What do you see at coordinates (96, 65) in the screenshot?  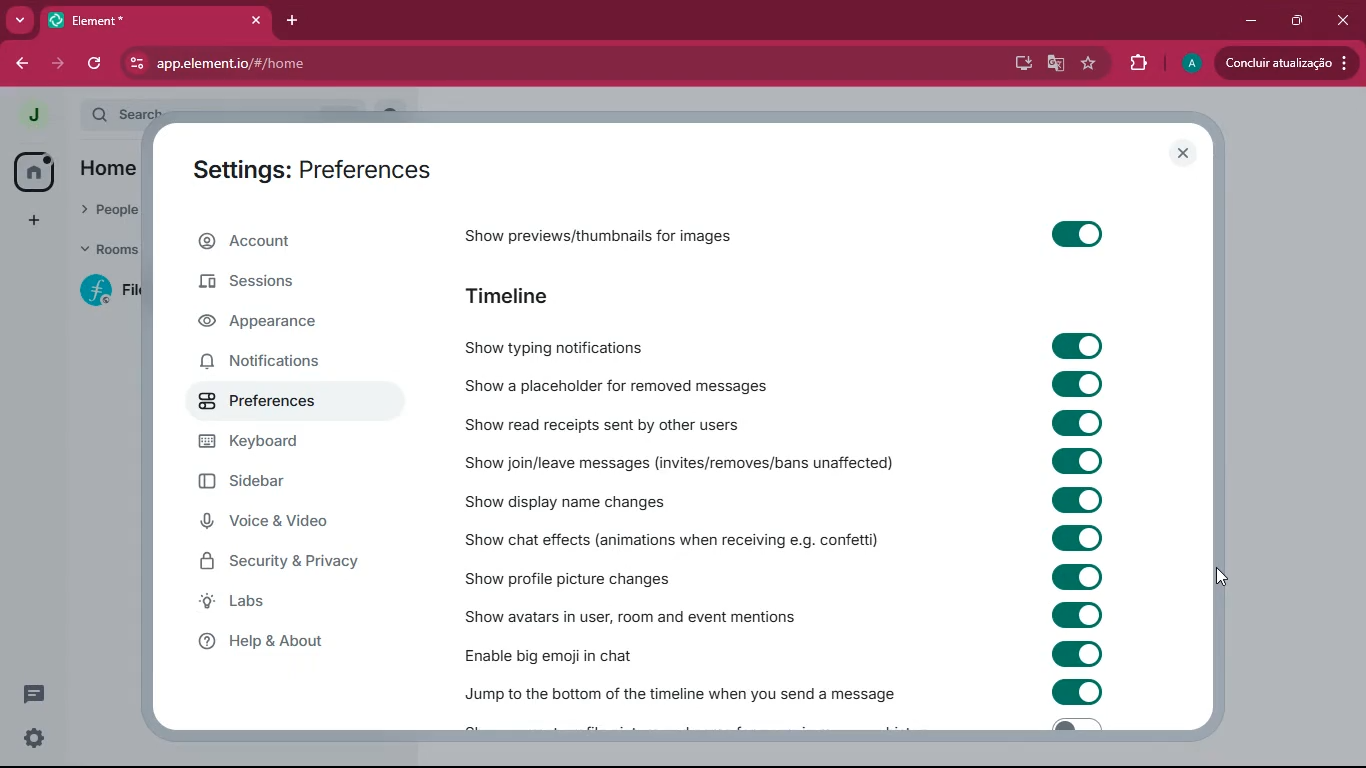 I see `refresh` at bounding box center [96, 65].